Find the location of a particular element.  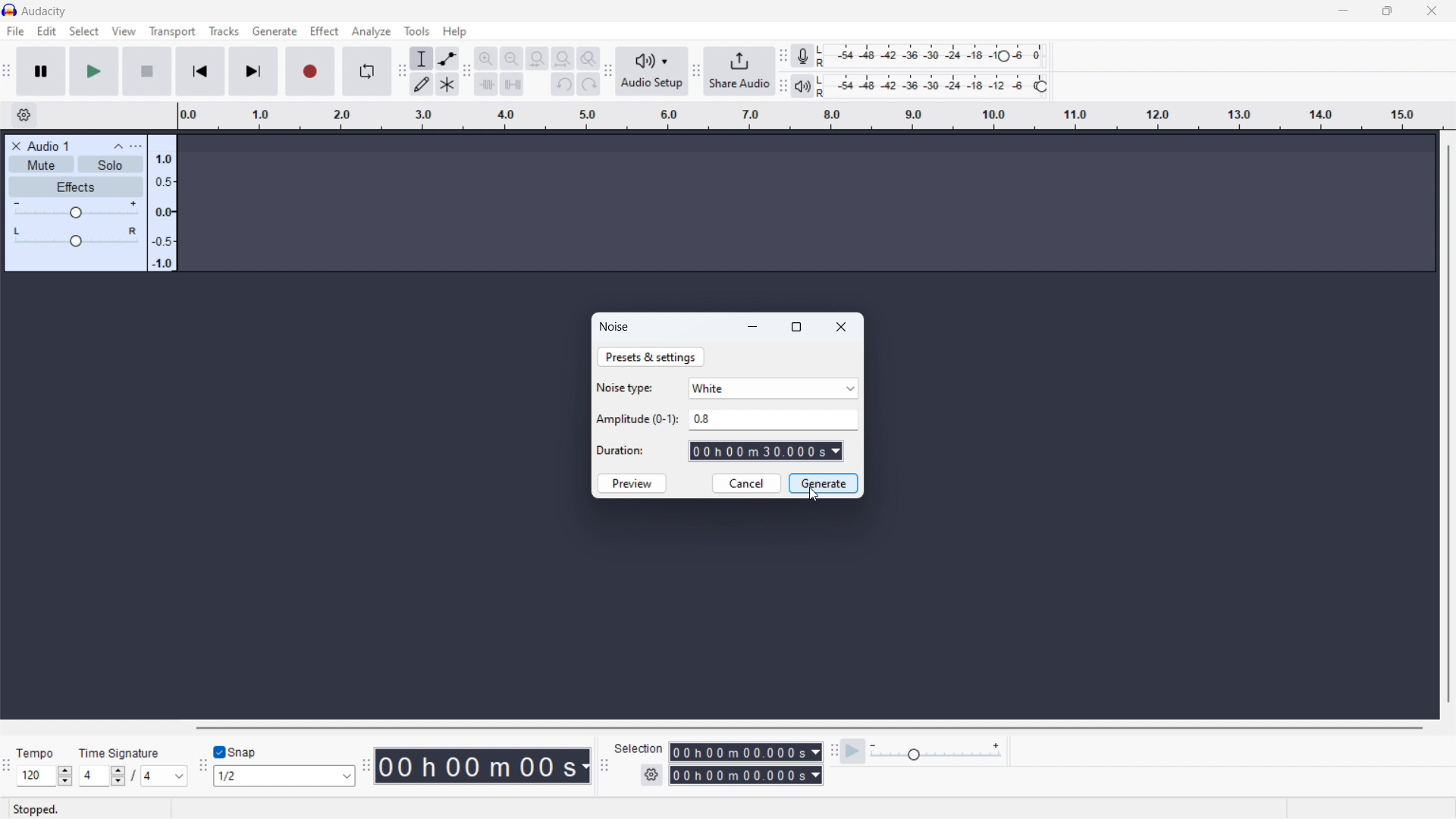

tools toolbar is located at coordinates (402, 74).